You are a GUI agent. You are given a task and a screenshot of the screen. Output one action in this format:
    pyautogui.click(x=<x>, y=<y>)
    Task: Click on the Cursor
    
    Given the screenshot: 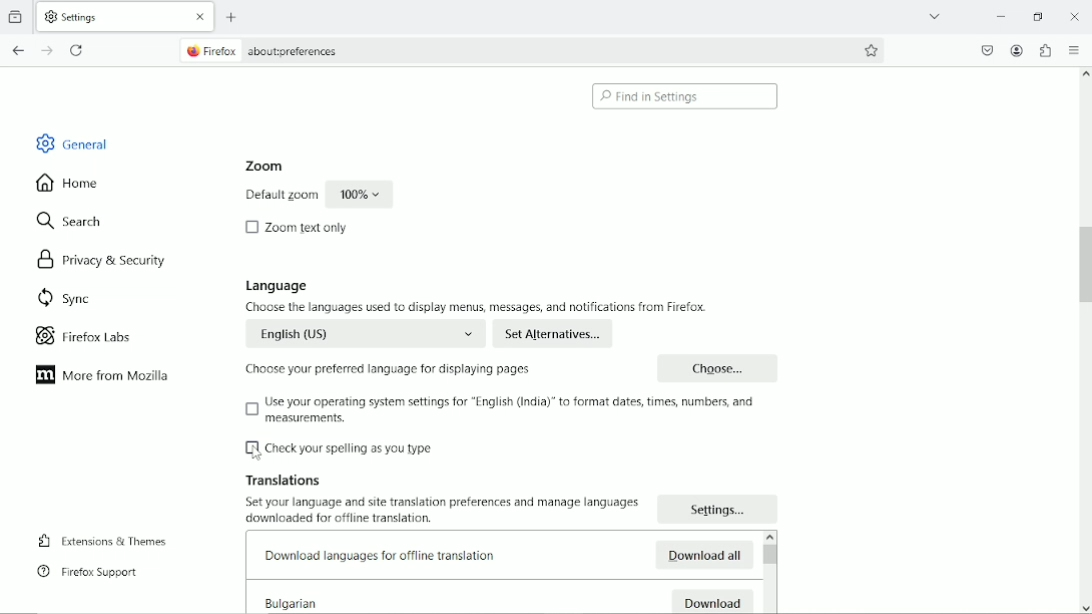 What is the action you would take?
    pyautogui.click(x=255, y=454)
    